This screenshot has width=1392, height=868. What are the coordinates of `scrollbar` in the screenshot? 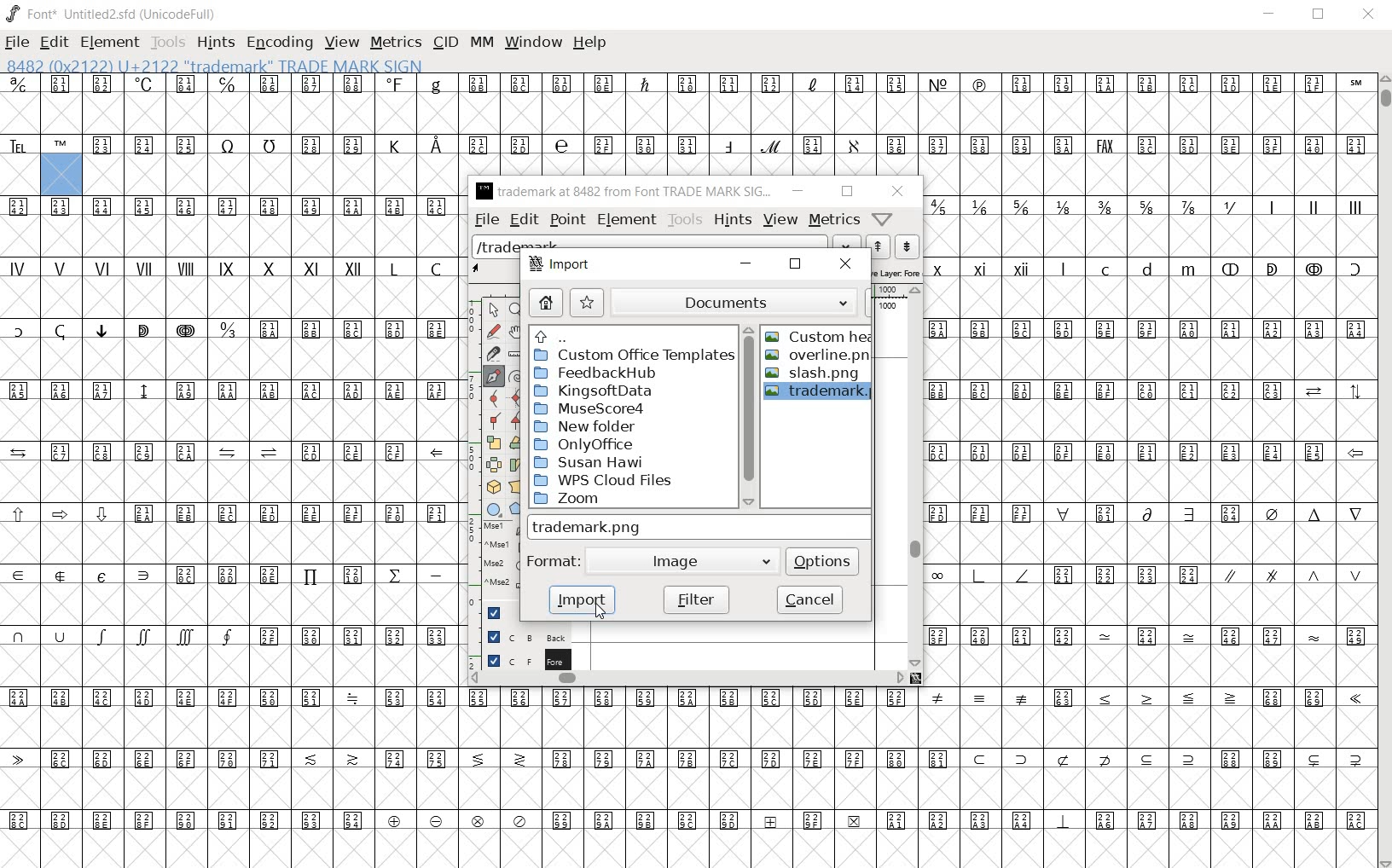 It's located at (687, 680).